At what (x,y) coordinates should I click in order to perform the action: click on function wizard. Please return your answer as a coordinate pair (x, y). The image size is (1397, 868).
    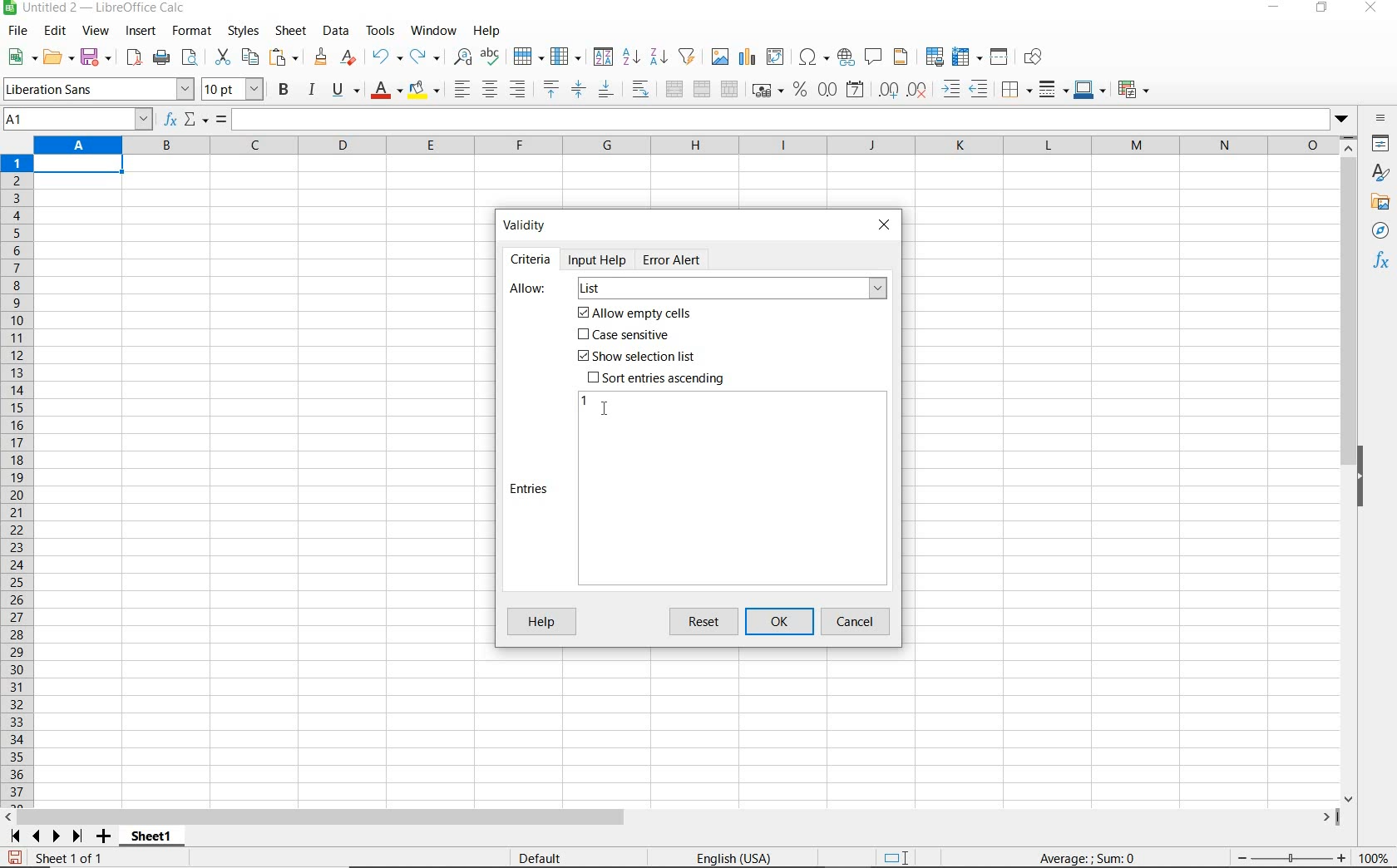
    Looking at the image, I should click on (168, 120).